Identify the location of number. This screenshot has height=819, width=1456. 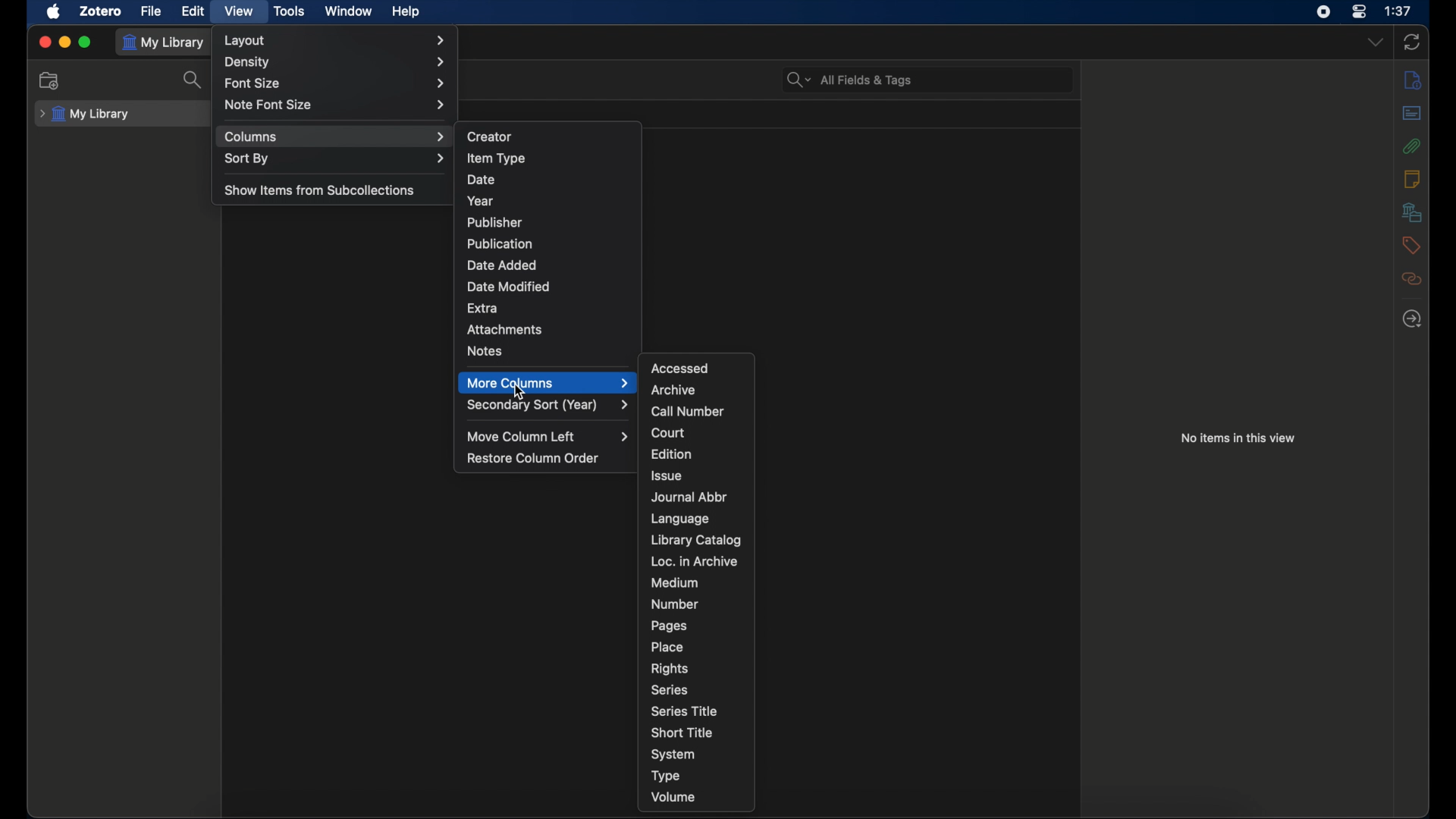
(674, 603).